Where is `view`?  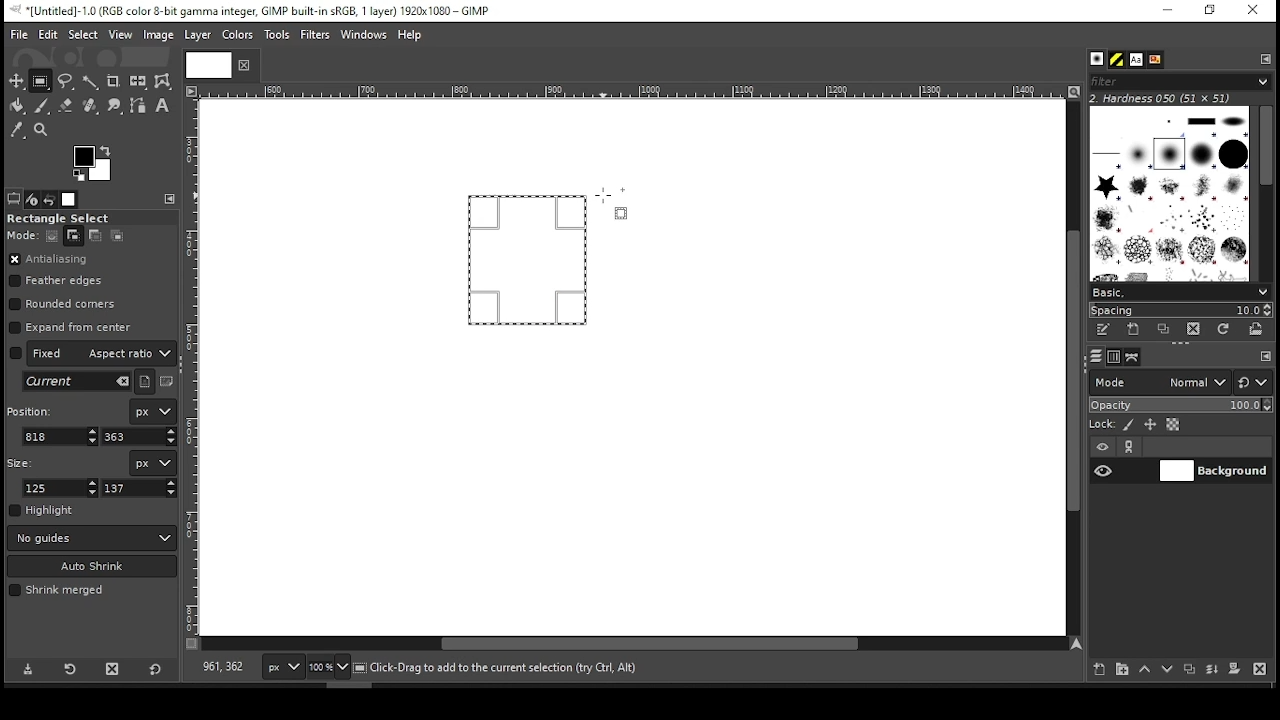
view is located at coordinates (121, 36).